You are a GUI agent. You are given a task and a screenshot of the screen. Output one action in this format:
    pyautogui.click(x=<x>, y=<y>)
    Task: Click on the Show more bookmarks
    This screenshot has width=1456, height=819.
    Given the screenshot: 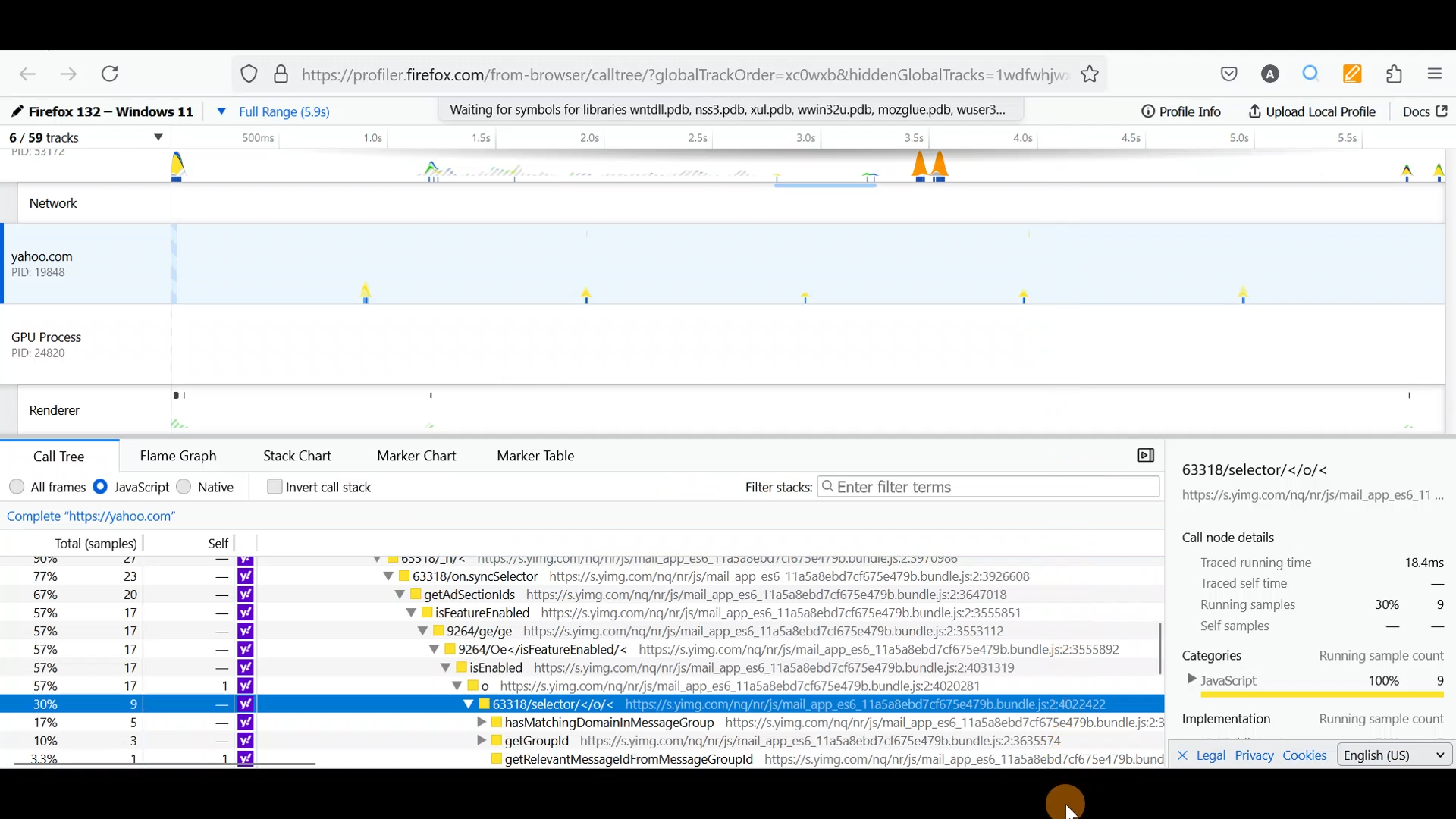 What is the action you would take?
    pyautogui.click(x=1280, y=114)
    